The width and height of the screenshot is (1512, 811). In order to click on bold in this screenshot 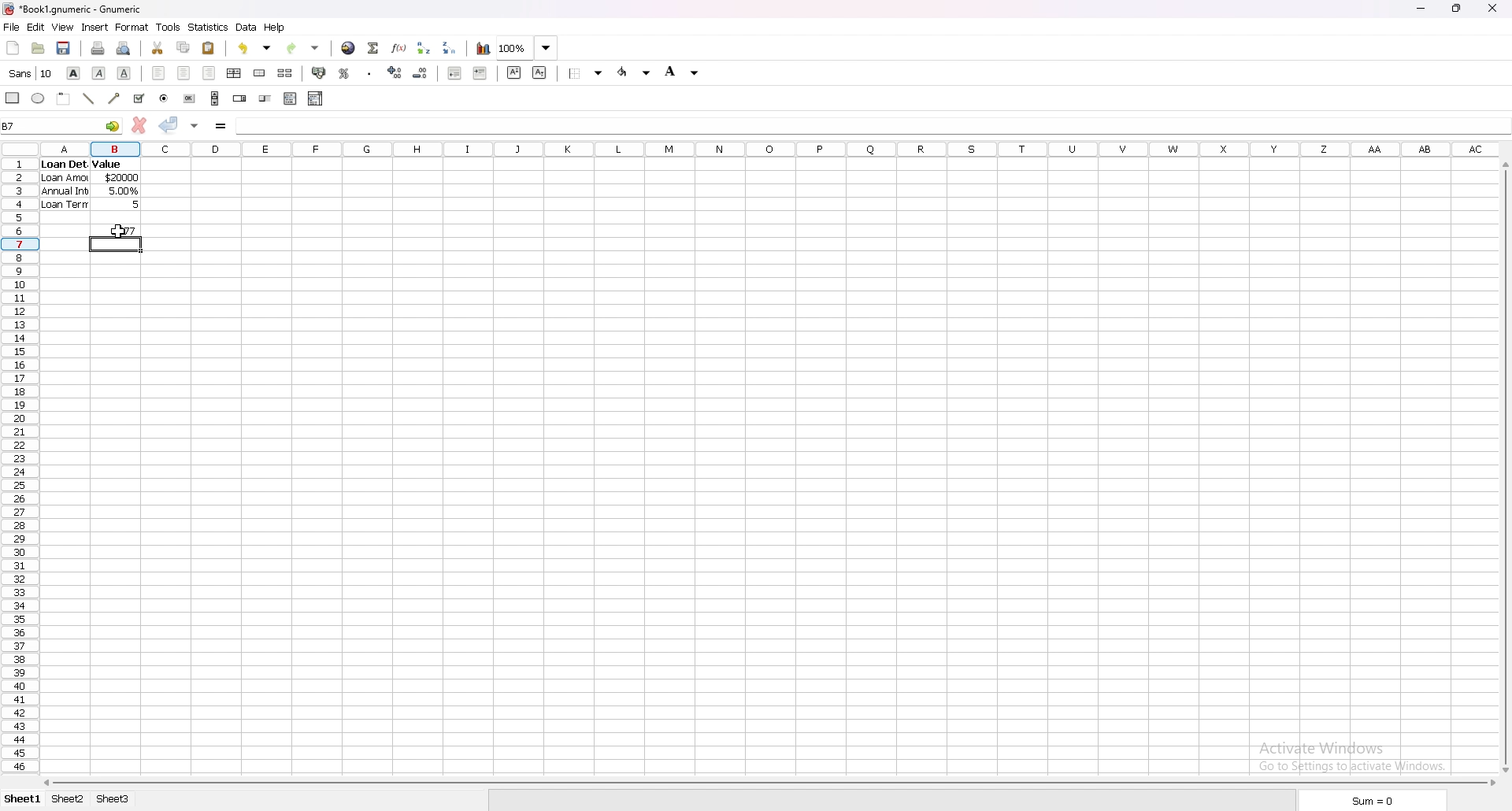, I will do `click(73, 72)`.